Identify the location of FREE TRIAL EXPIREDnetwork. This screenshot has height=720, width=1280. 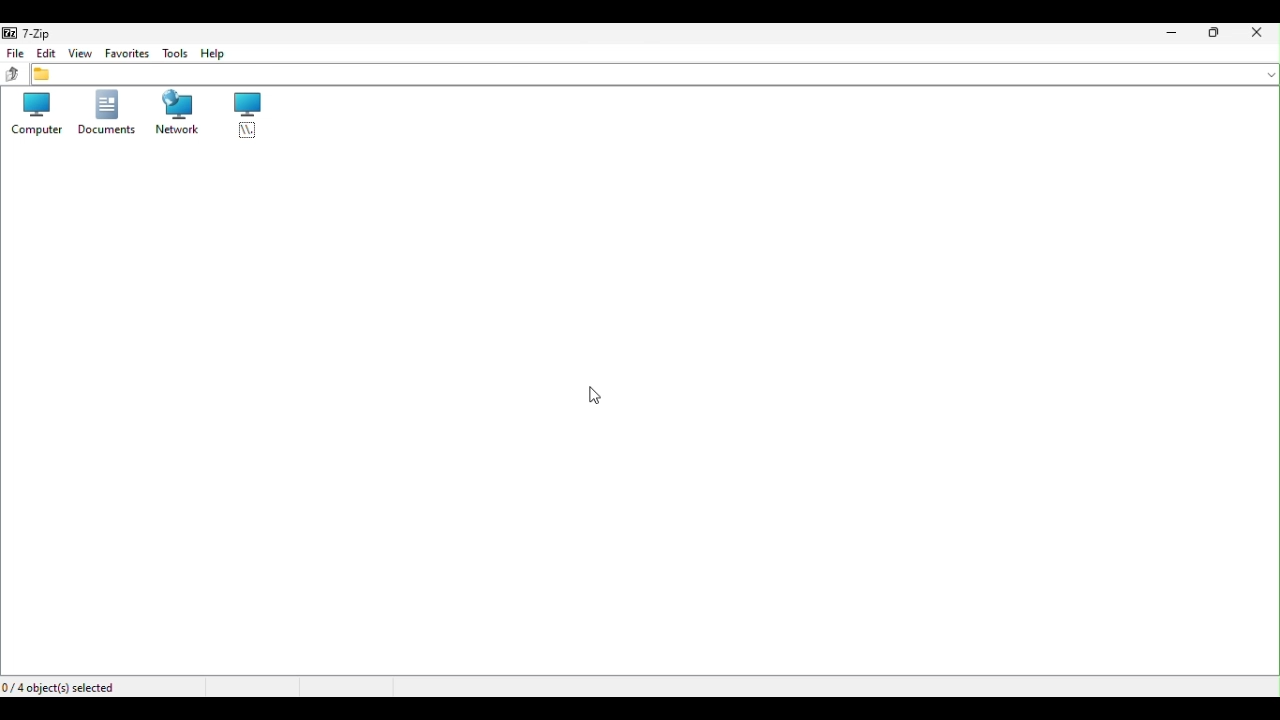
(175, 114).